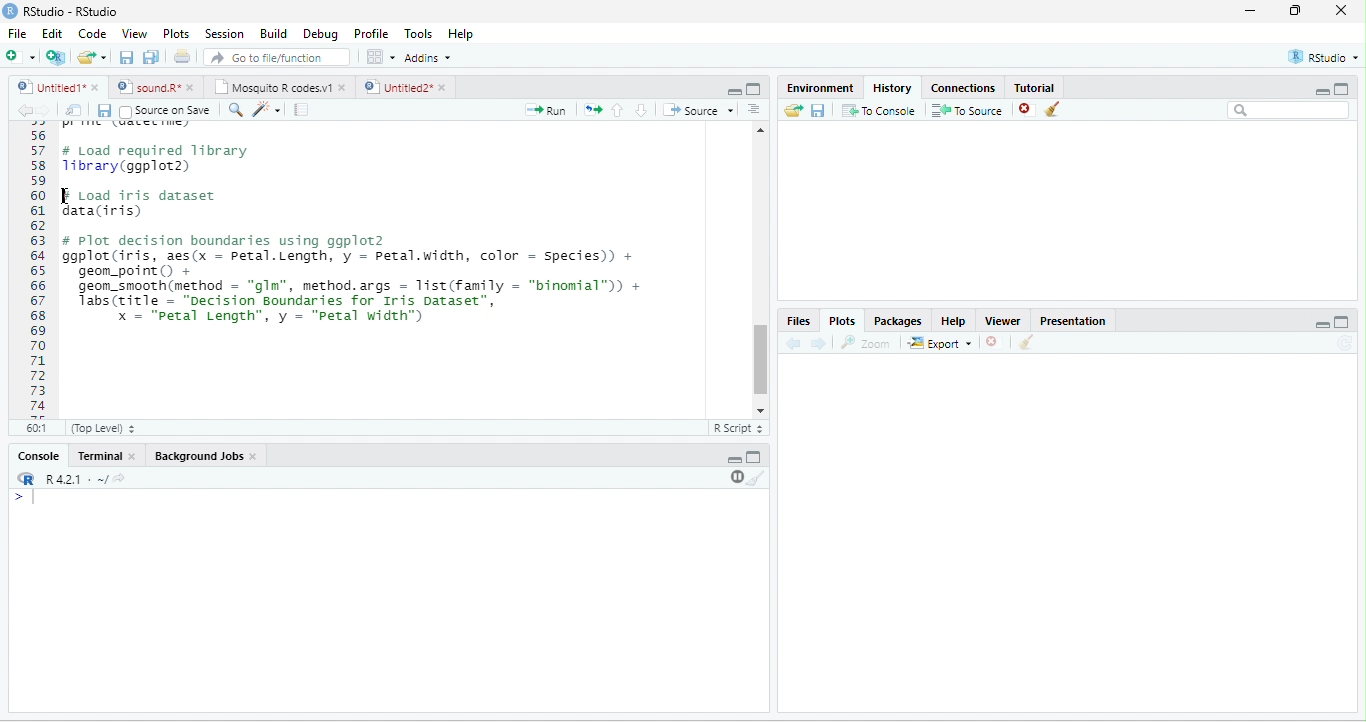 This screenshot has height=722, width=1366. Describe the element at coordinates (898, 322) in the screenshot. I see `Packages` at that location.